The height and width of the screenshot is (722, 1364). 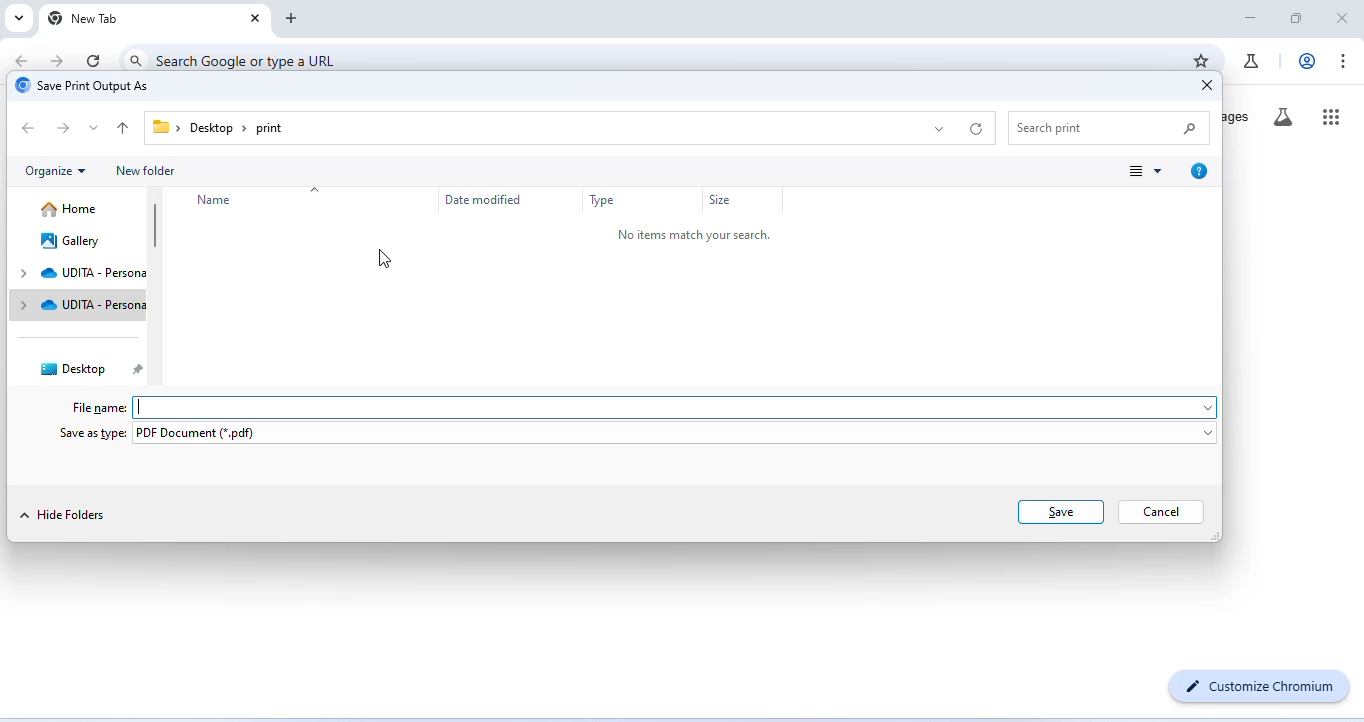 I want to click on upto to previous folder, so click(x=125, y=128).